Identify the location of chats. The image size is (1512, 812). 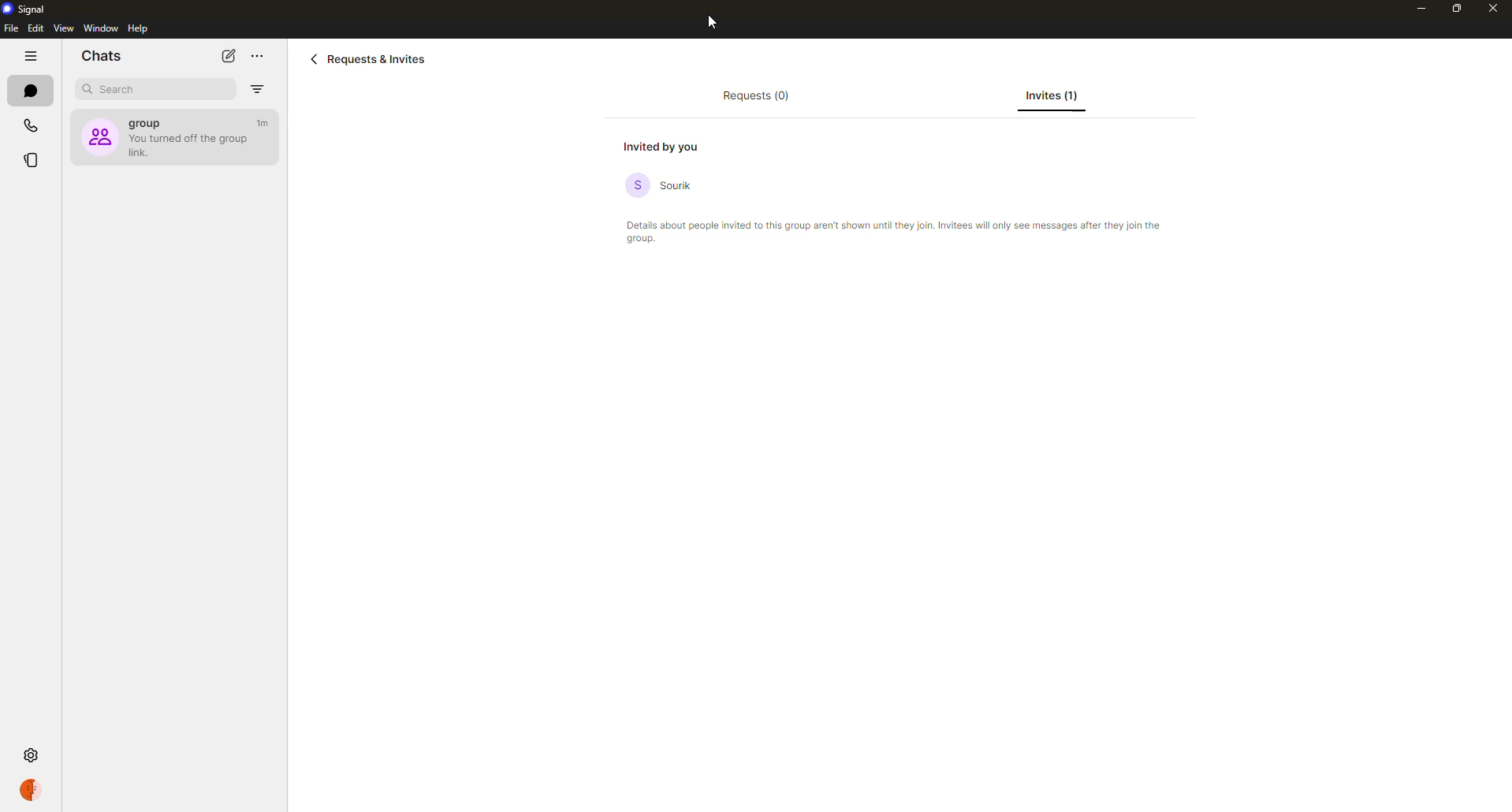
(102, 56).